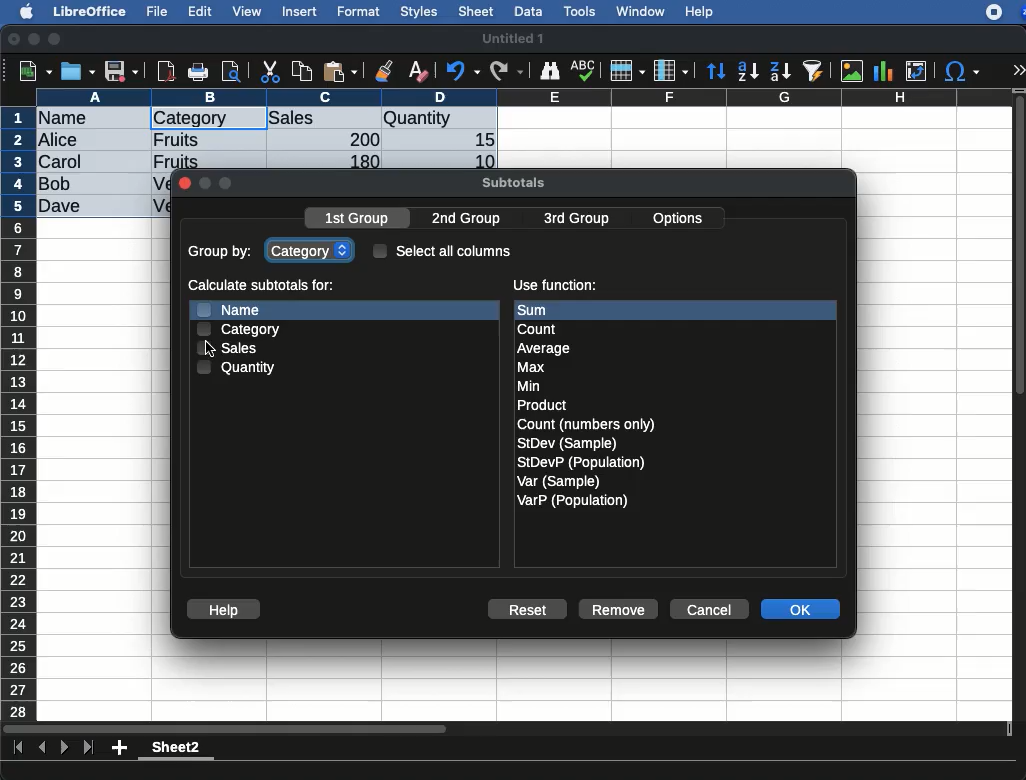  What do you see at coordinates (1018, 70) in the screenshot?
I see `expand` at bounding box center [1018, 70].